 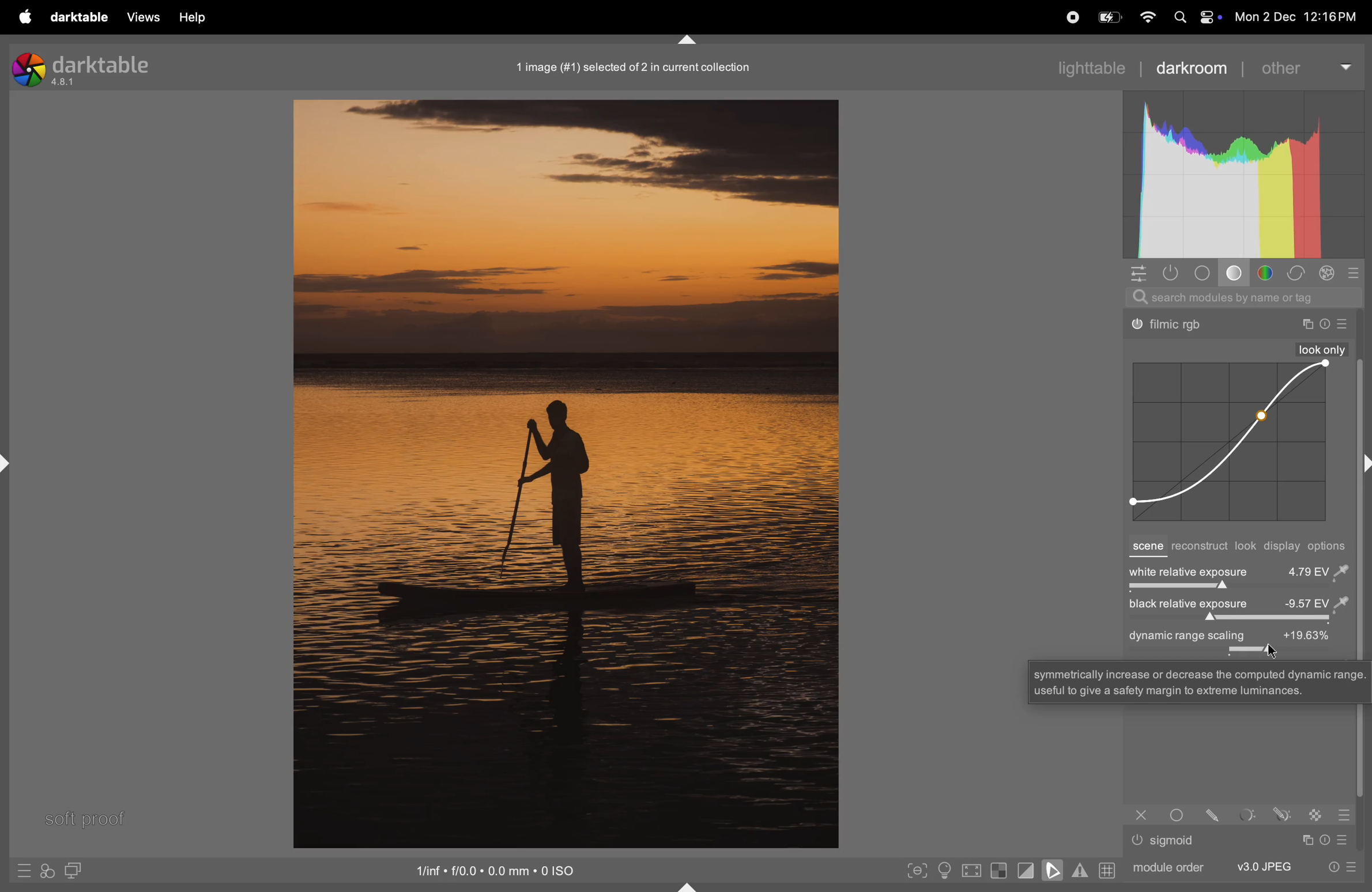 What do you see at coordinates (1227, 443) in the screenshot?
I see `rgb curve` at bounding box center [1227, 443].